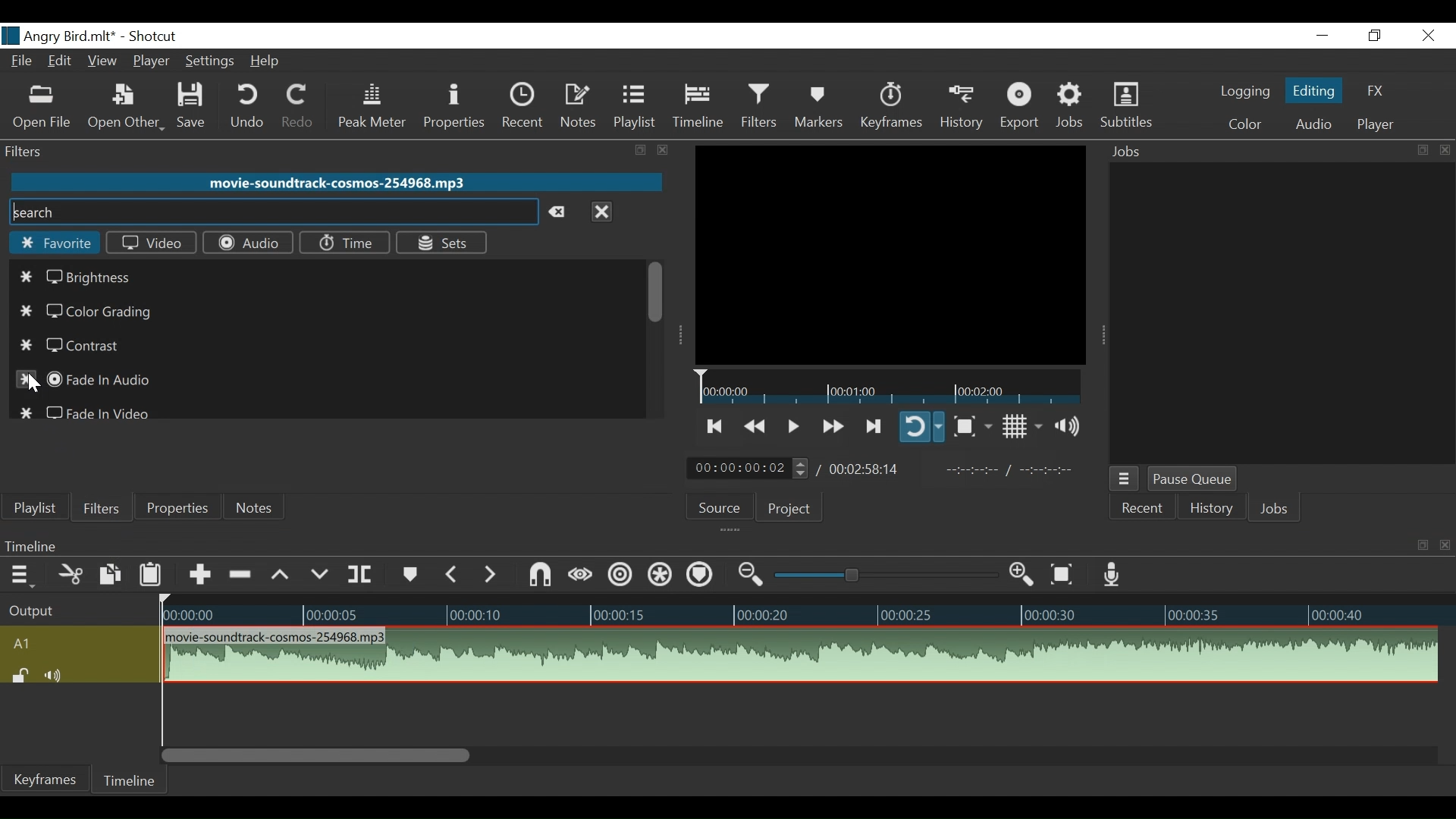 The height and width of the screenshot is (819, 1456). I want to click on Snap, so click(541, 575).